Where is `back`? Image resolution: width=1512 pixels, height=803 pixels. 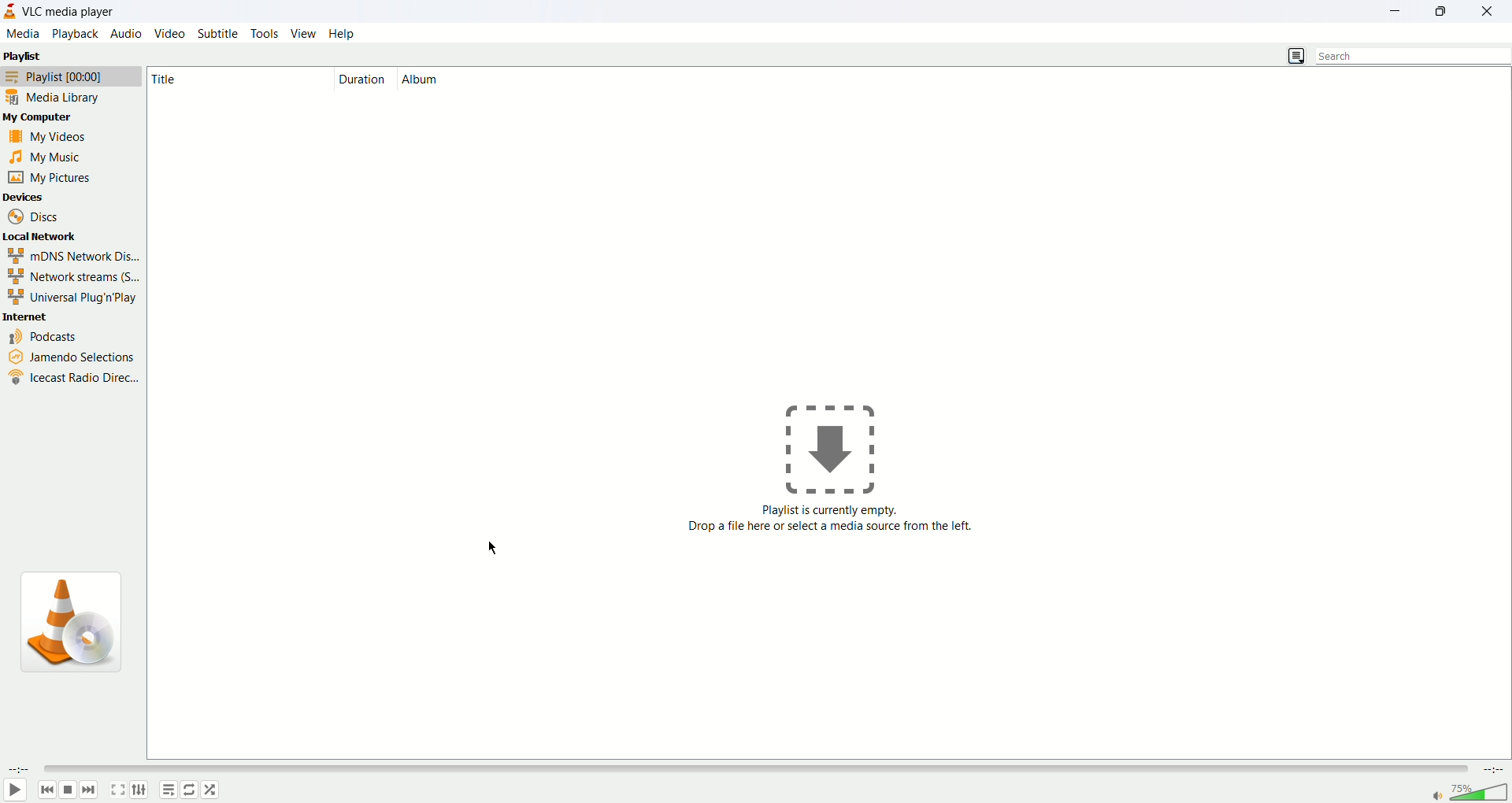
back is located at coordinates (46, 790).